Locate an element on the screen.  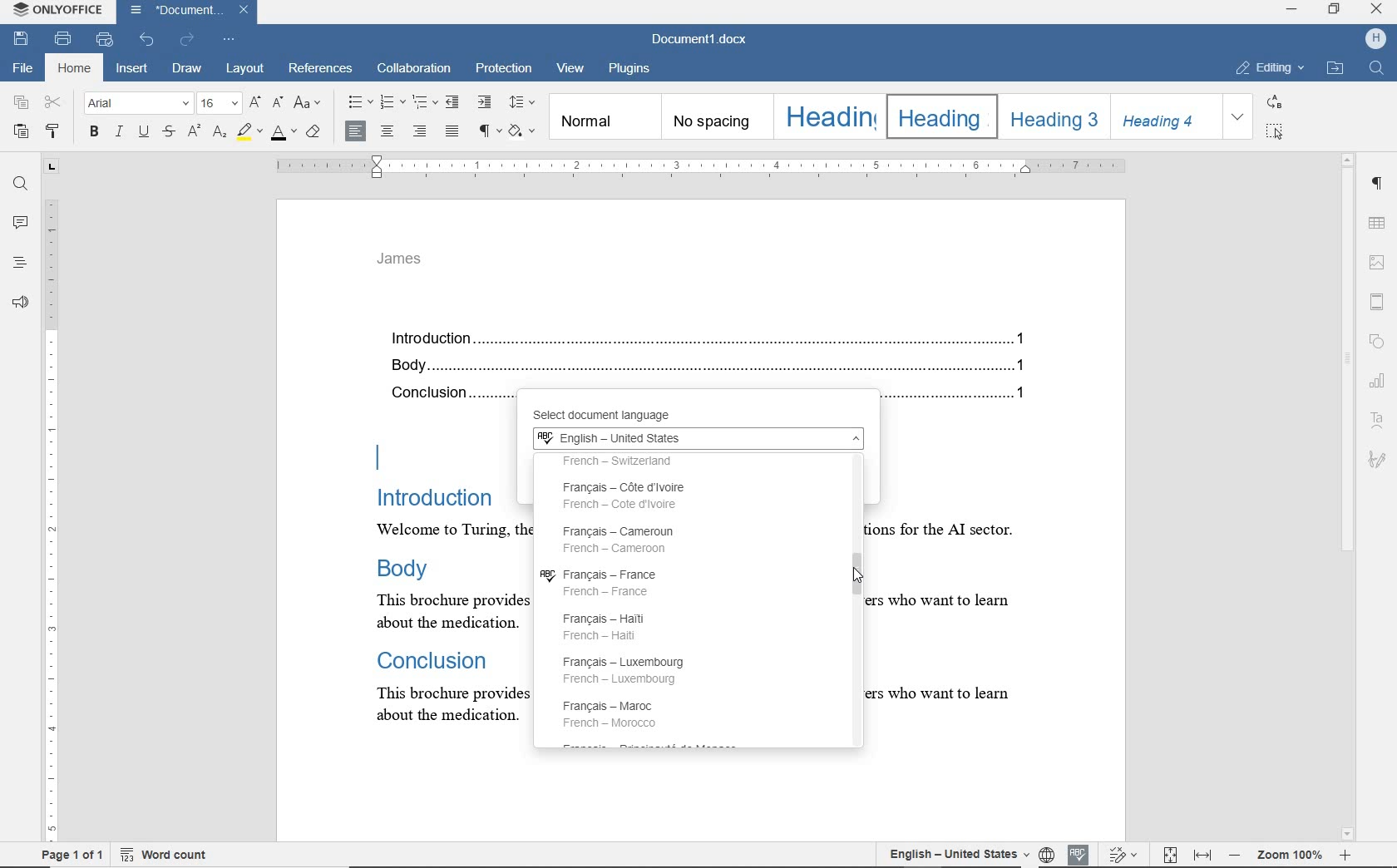
Heading 4 is located at coordinates (1165, 116).